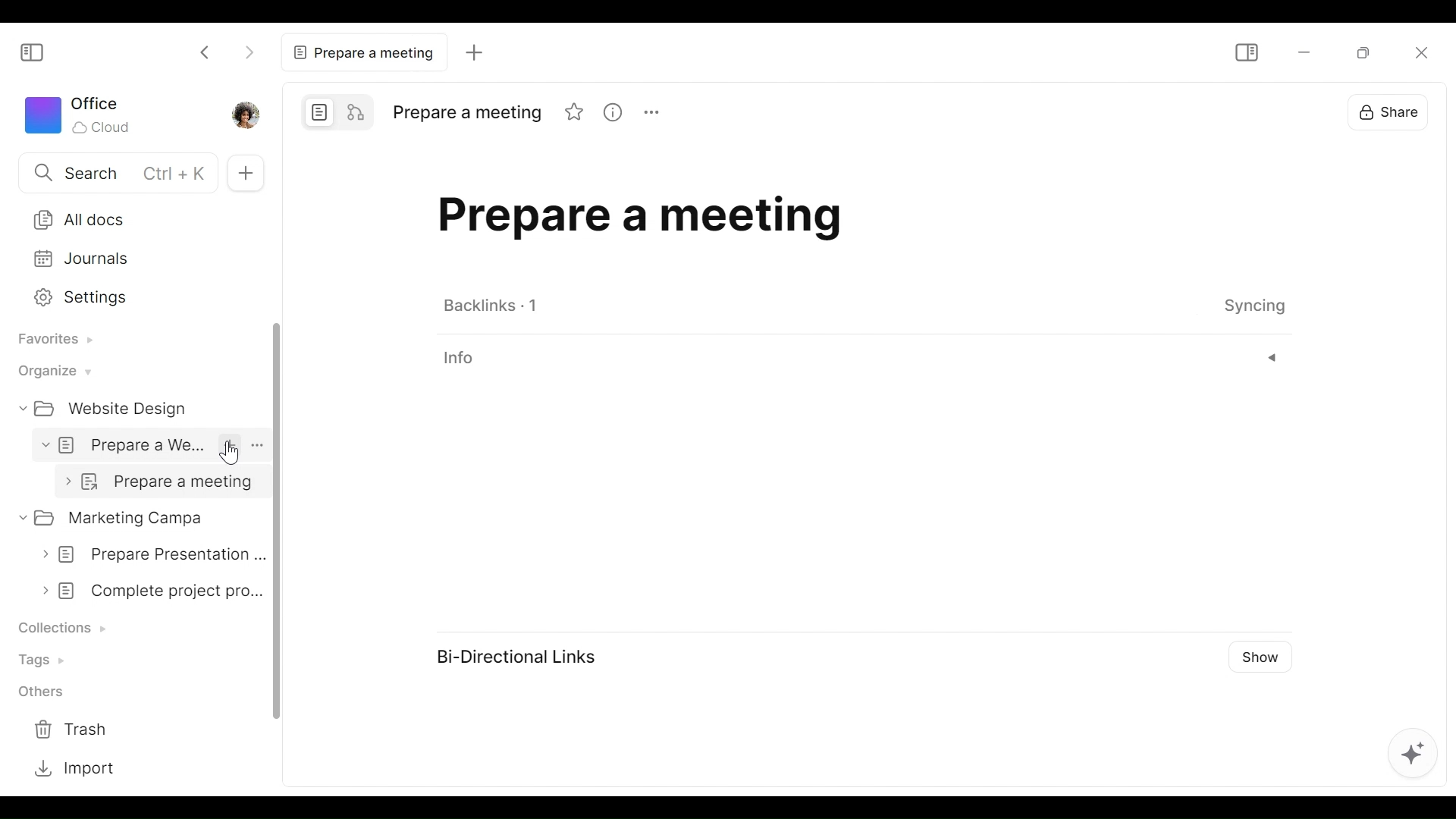 The height and width of the screenshot is (819, 1456). Describe the element at coordinates (161, 482) in the screenshot. I see `Document` at that location.